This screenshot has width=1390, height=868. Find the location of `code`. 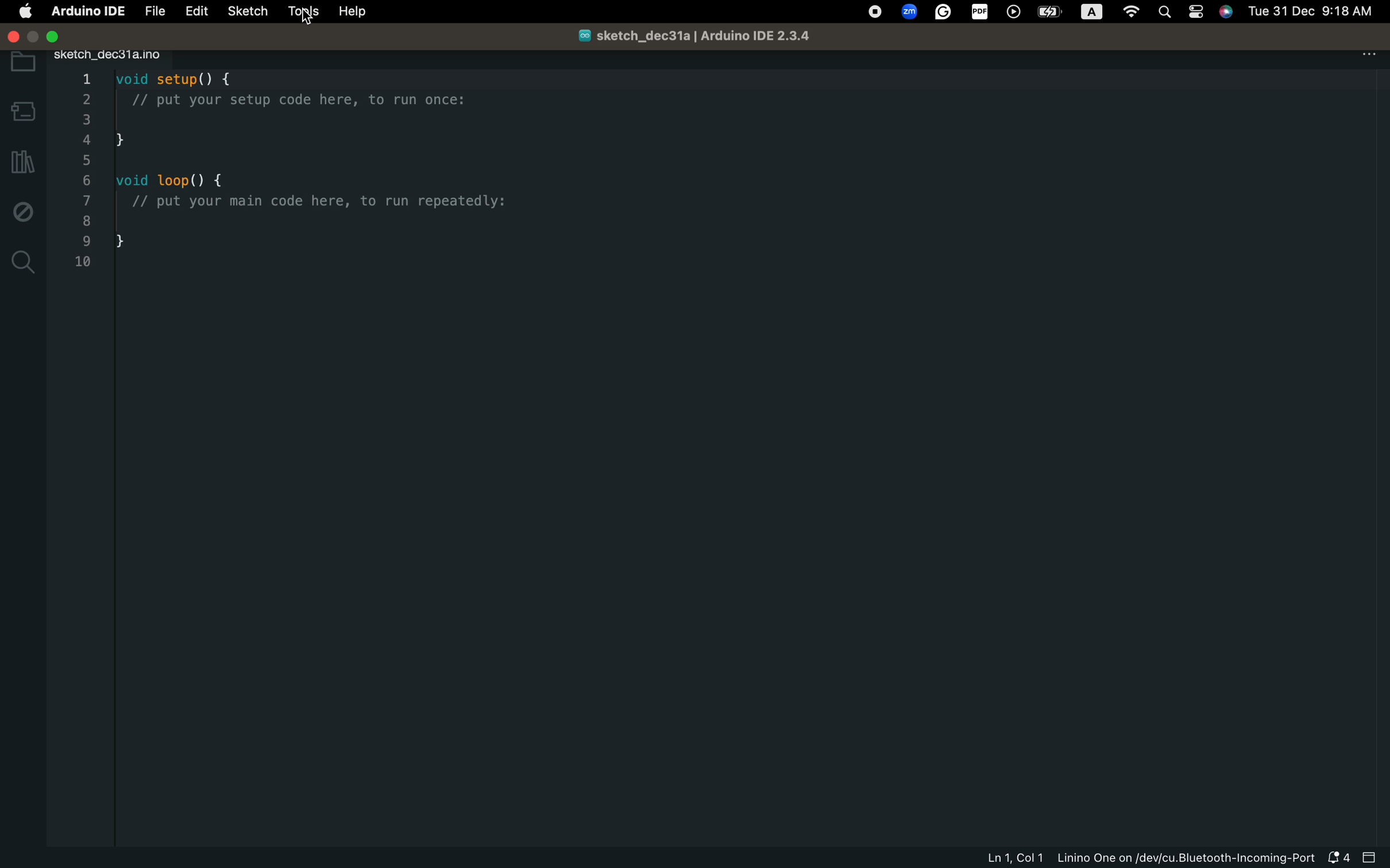

code is located at coordinates (298, 172).